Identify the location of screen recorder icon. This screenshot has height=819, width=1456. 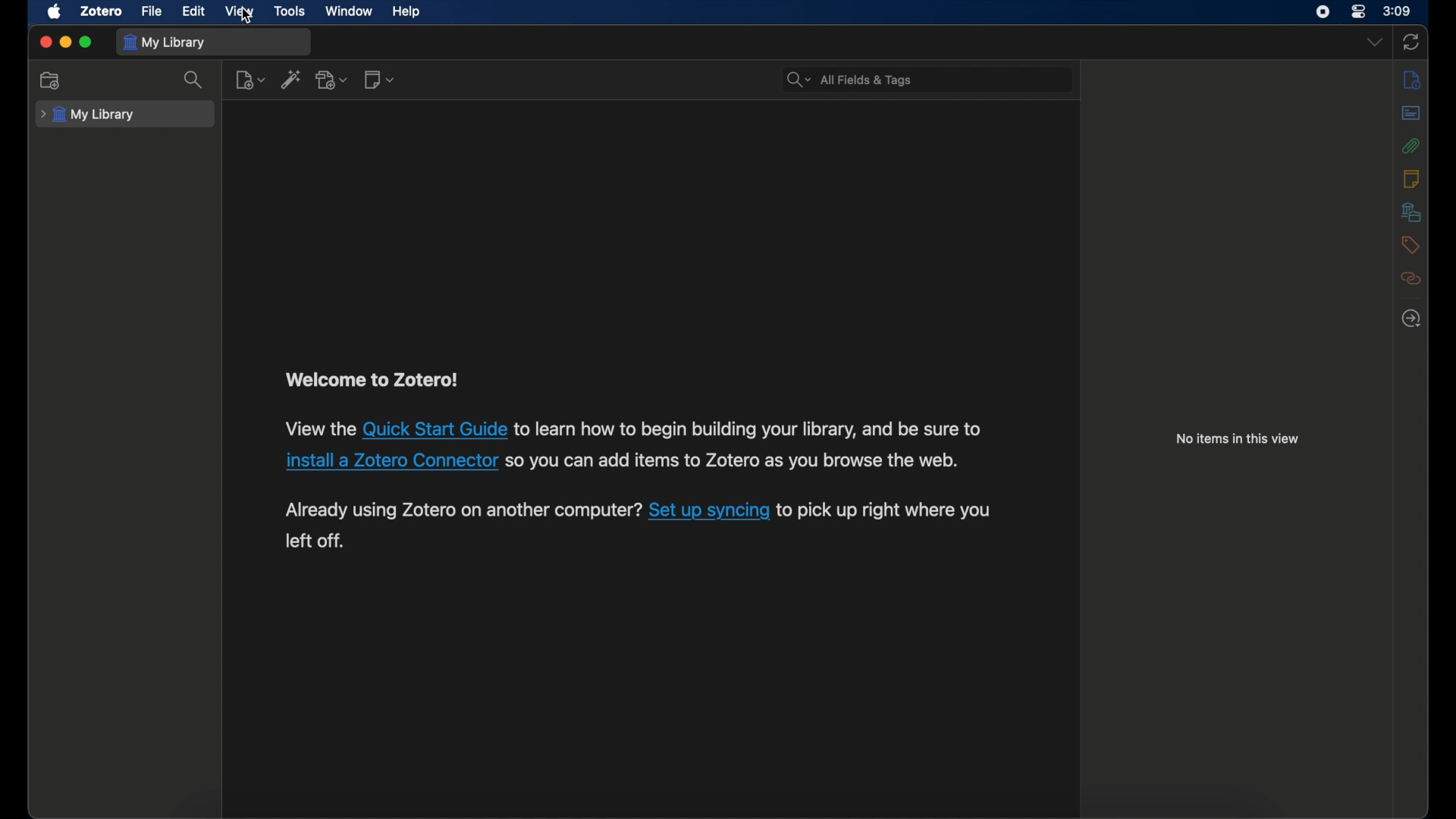
(1323, 12).